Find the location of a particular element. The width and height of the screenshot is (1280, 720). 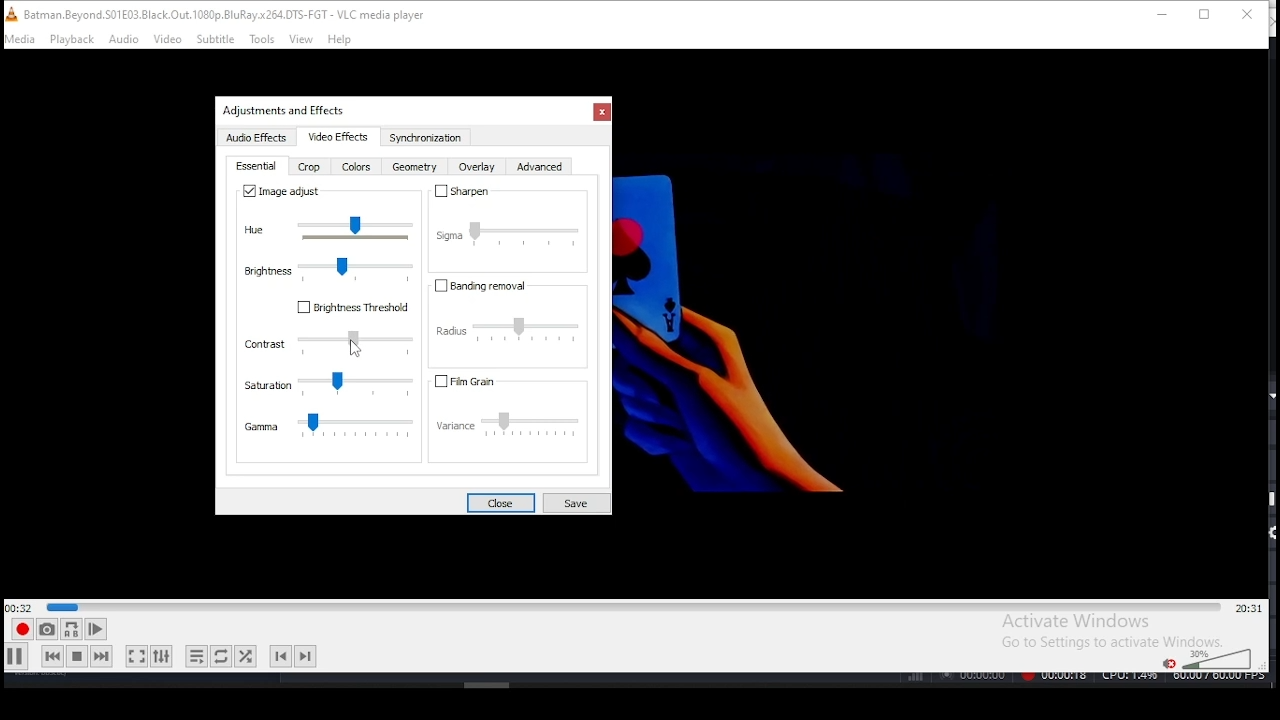

sigma is located at coordinates (508, 229).